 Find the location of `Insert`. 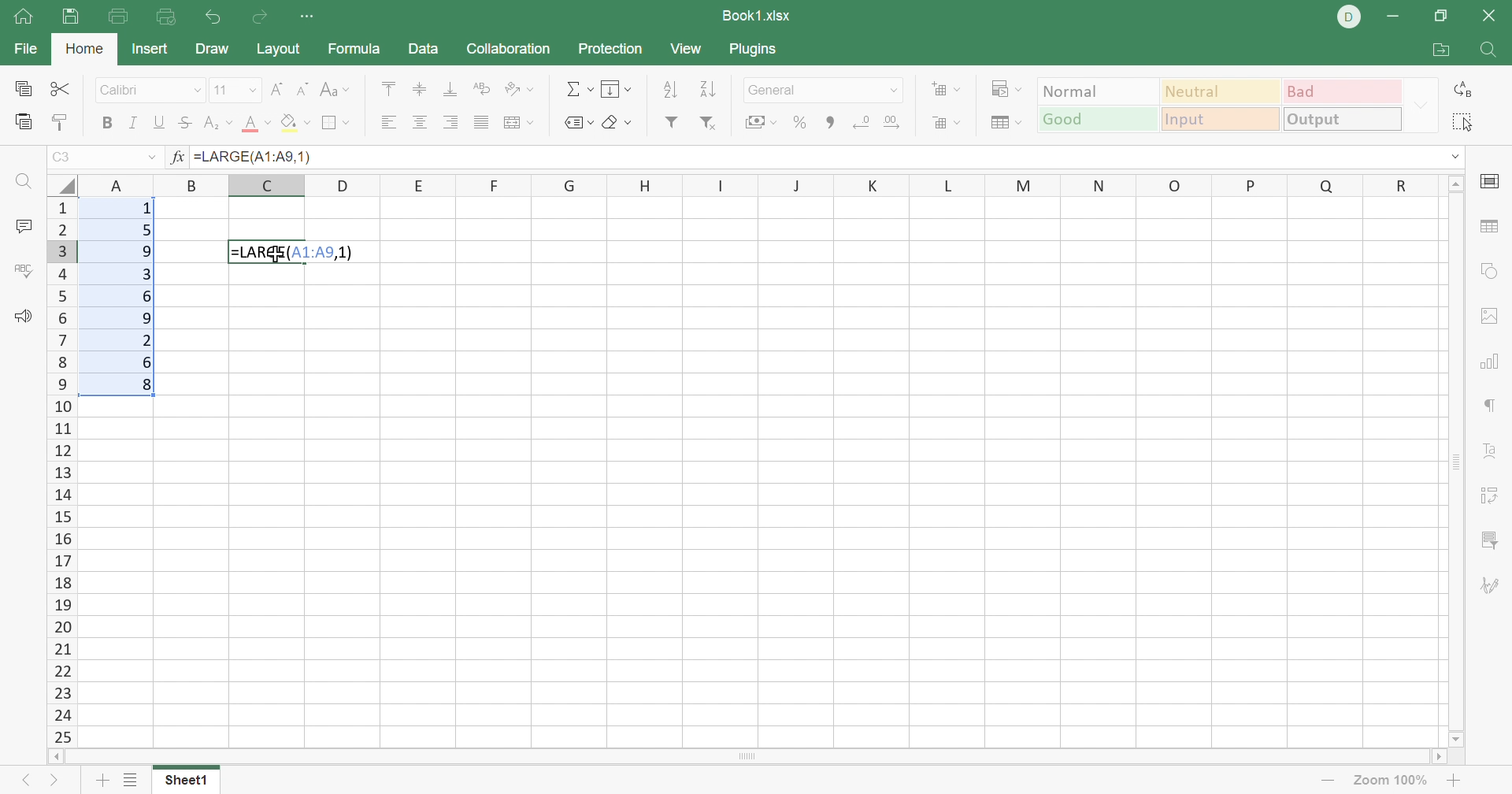

Insert is located at coordinates (152, 50).